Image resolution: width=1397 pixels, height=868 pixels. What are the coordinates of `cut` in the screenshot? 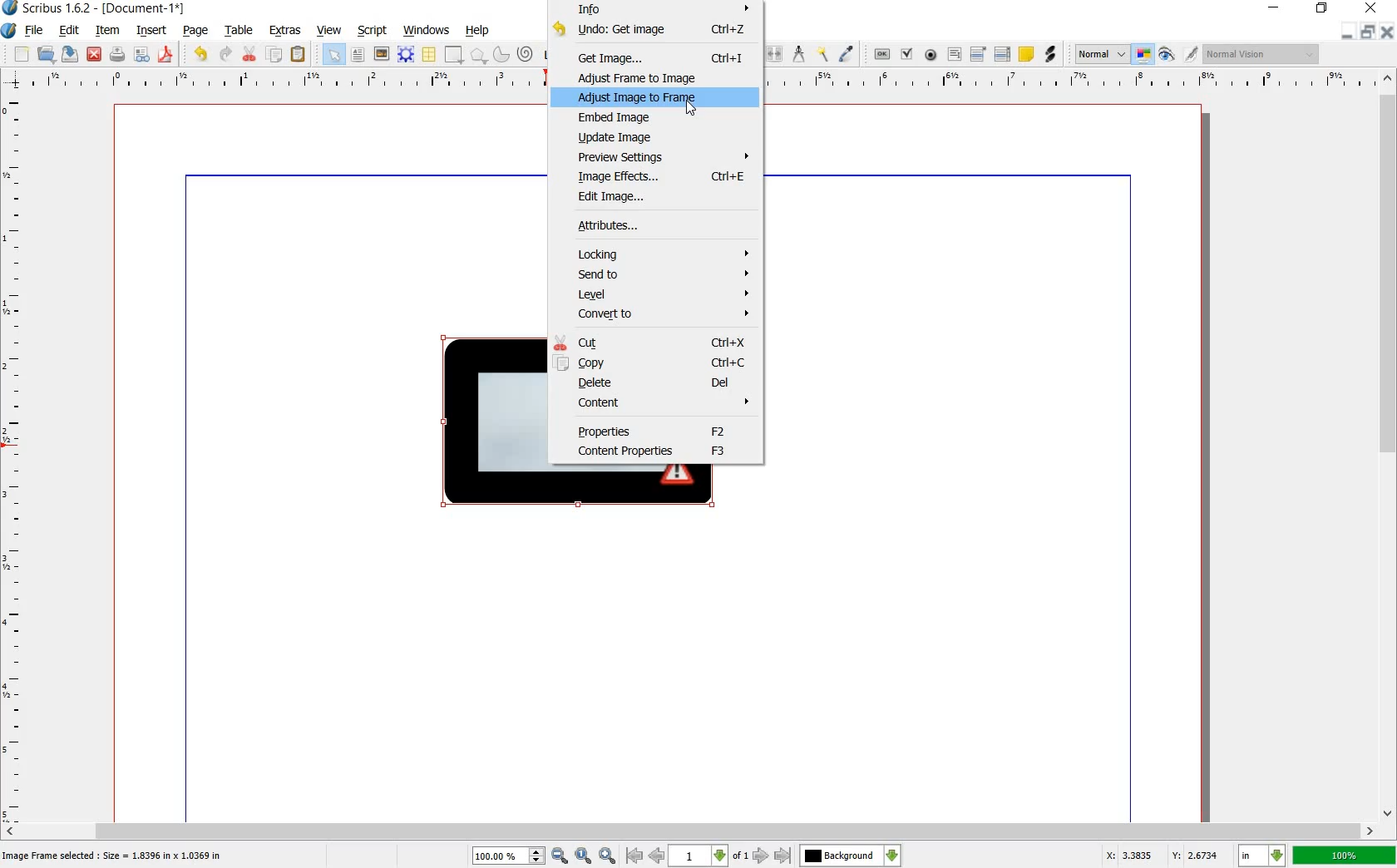 It's located at (248, 55).